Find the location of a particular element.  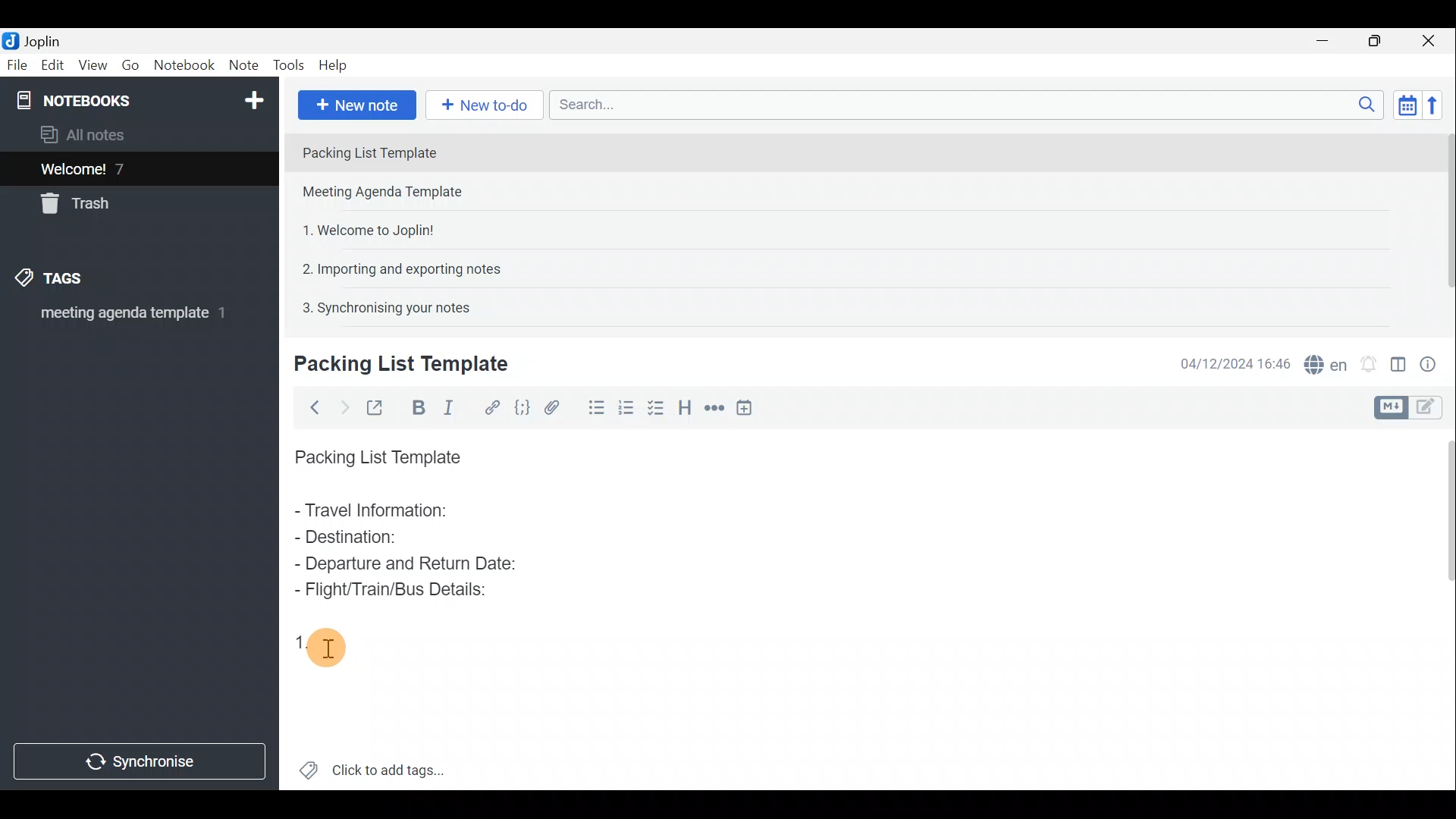

Packing List Template is located at coordinates (375, 453).